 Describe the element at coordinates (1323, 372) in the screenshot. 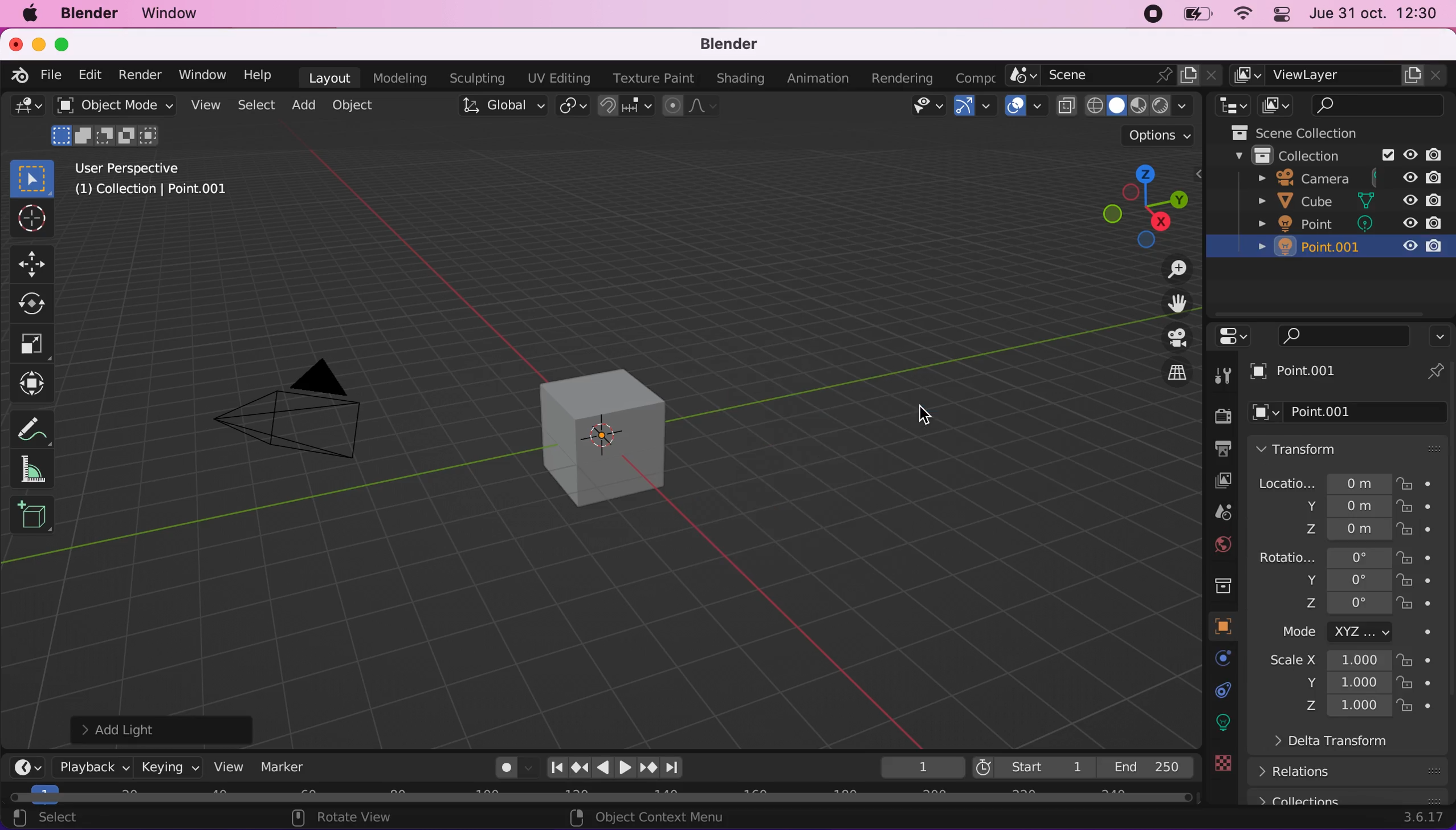

I see `point.001` at that location.